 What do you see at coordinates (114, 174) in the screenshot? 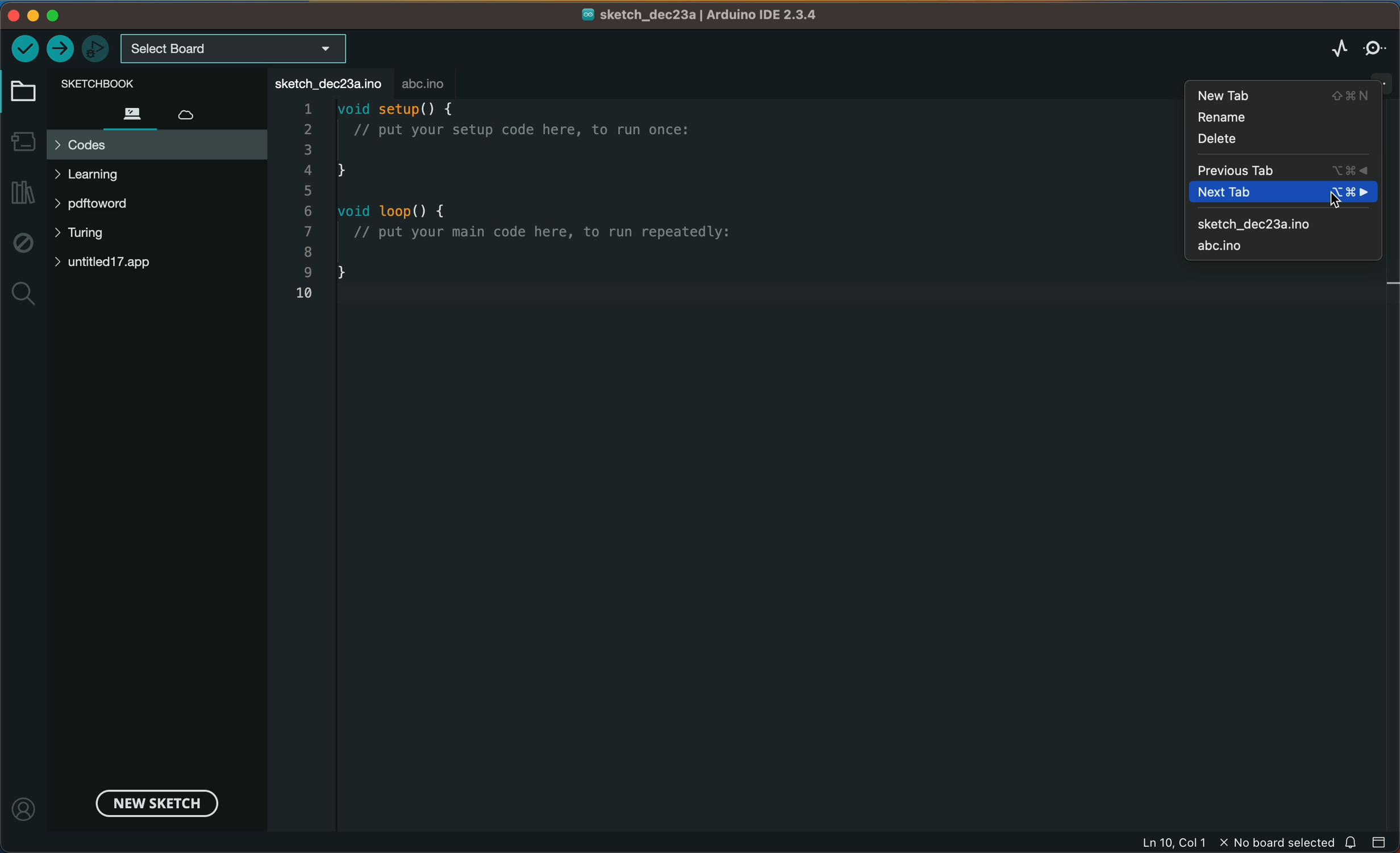
I see `learning` at bounding box center [114, 174].